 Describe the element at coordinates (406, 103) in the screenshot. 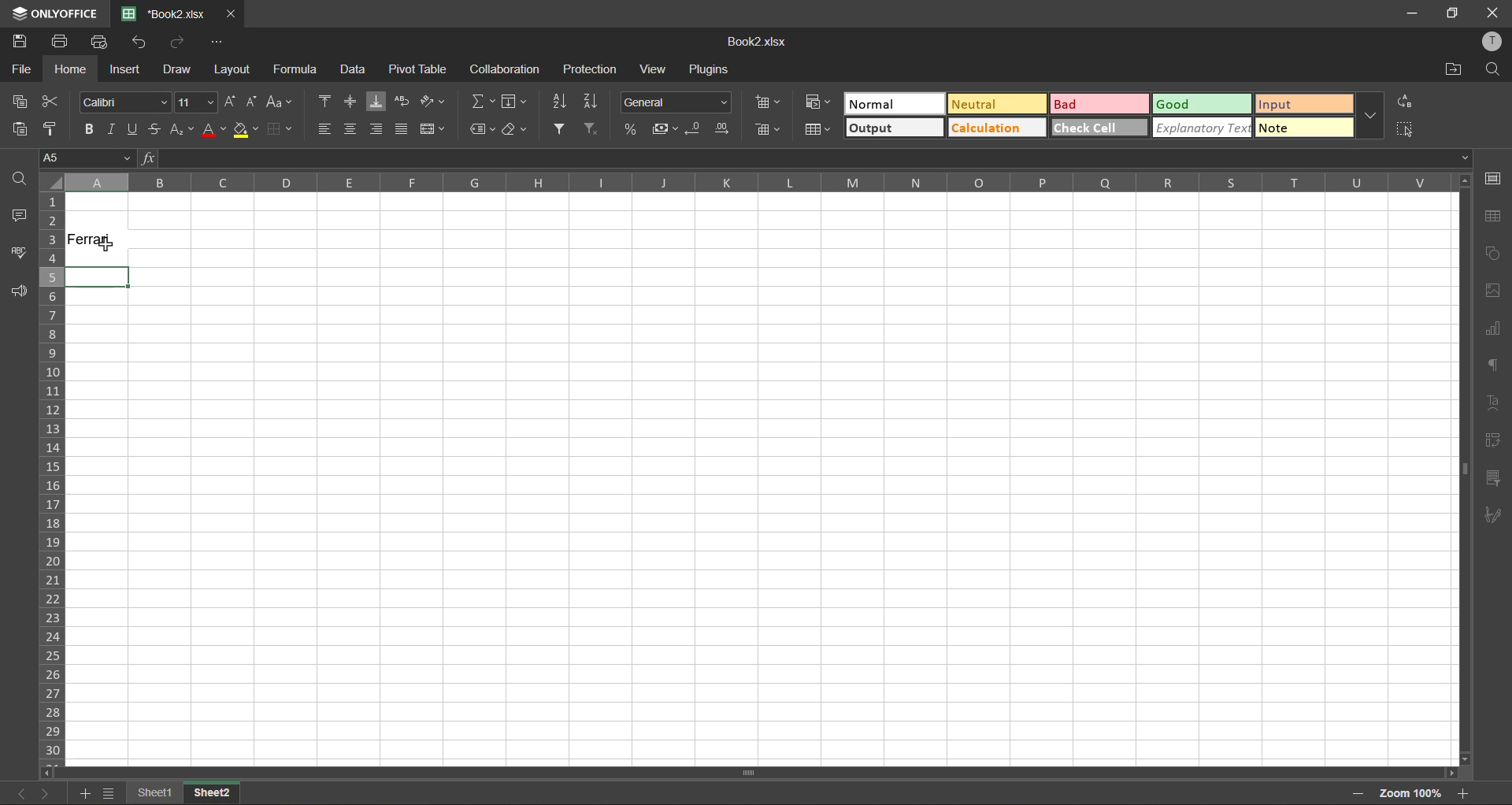

I see `wrap text` at that location.